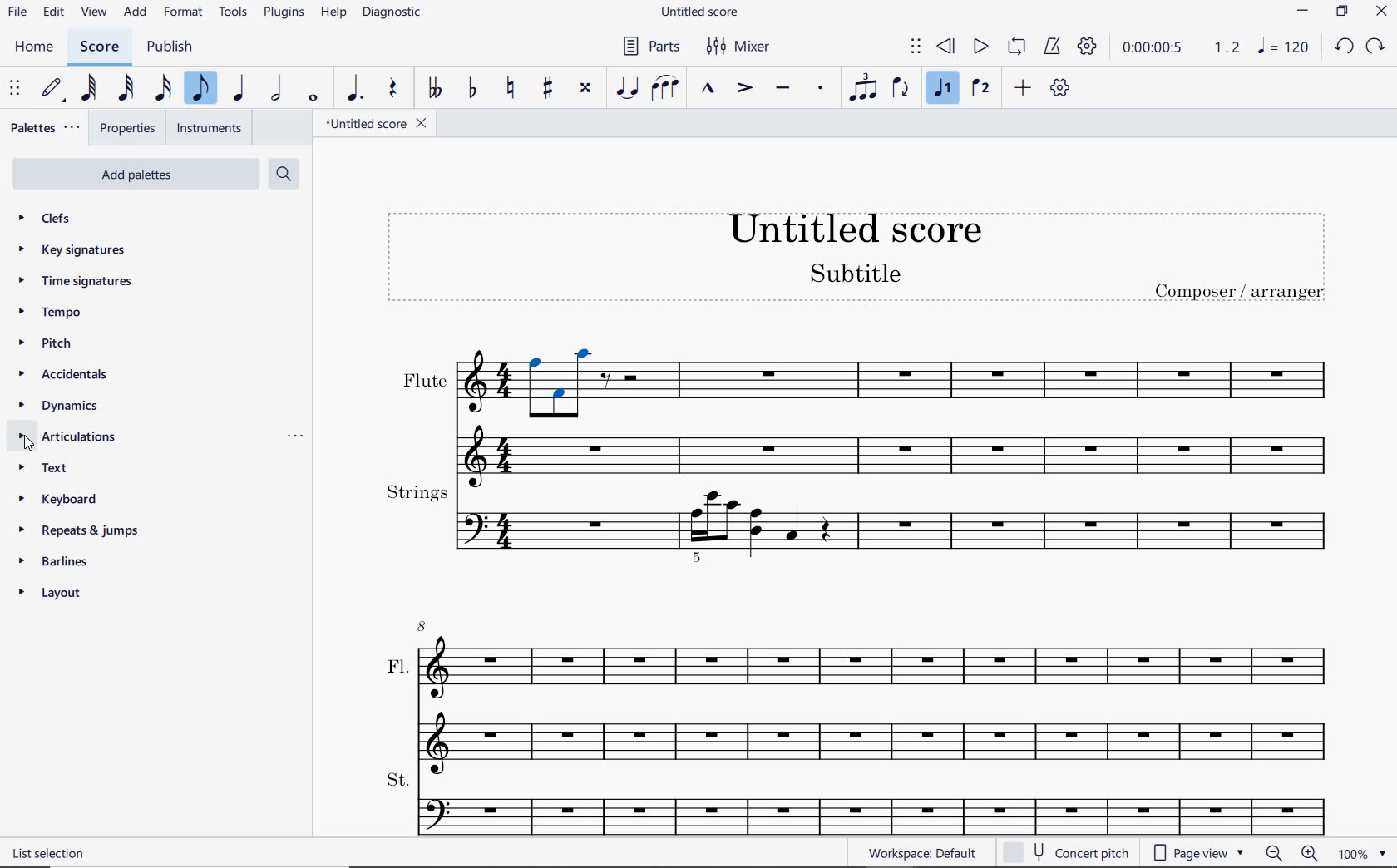 This screenshot has height=868, width=1397. What do you see at coordinates (48, 345) in the screenshot?
I see `pitch` at bounding box center [48, 345].